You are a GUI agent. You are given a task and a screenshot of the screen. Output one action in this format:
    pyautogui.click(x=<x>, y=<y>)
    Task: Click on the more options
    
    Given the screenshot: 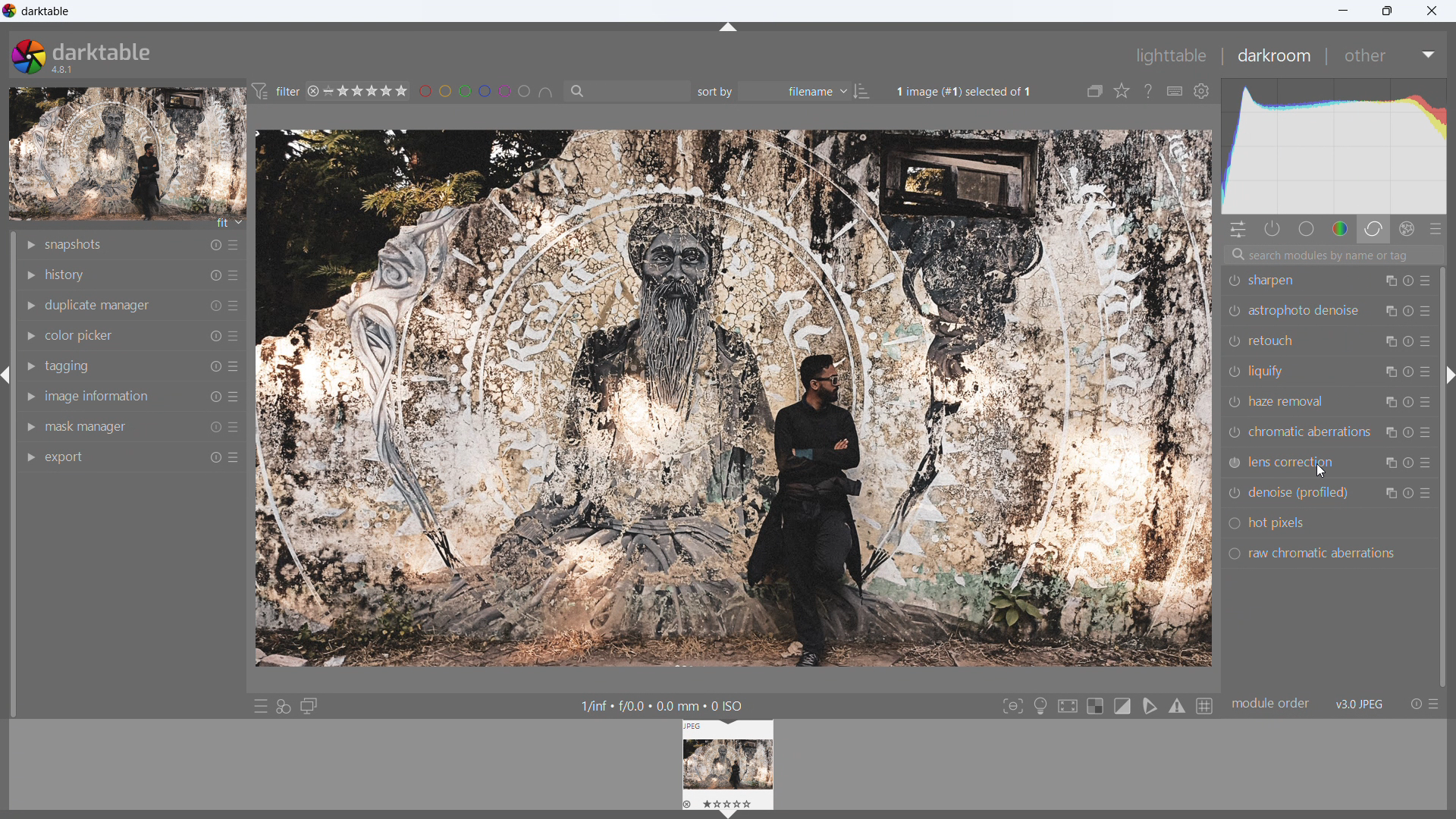 What is the action you would take?
    pyautogui.click(x=236, y=454)
    